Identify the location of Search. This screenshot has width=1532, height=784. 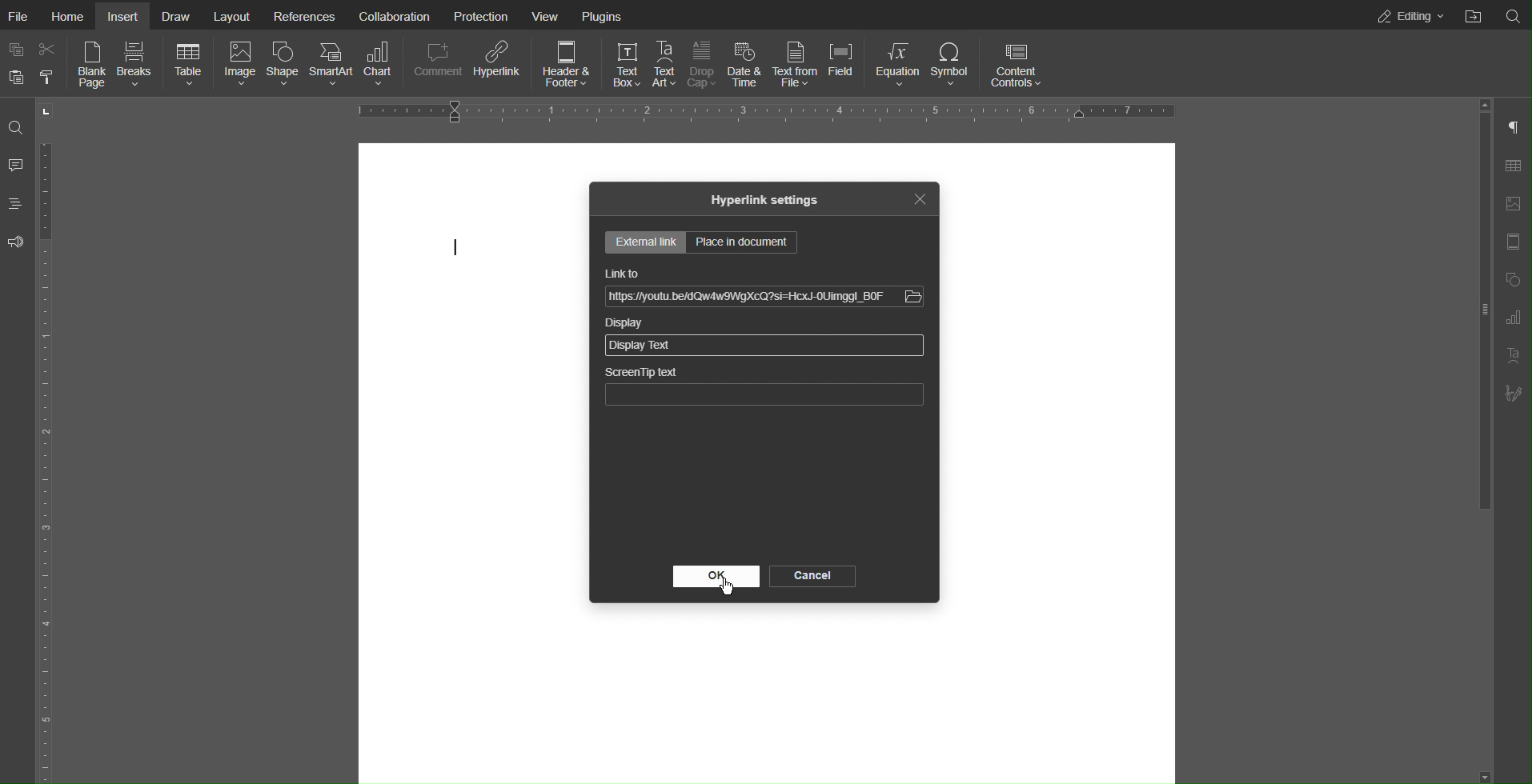
(1514, 16).